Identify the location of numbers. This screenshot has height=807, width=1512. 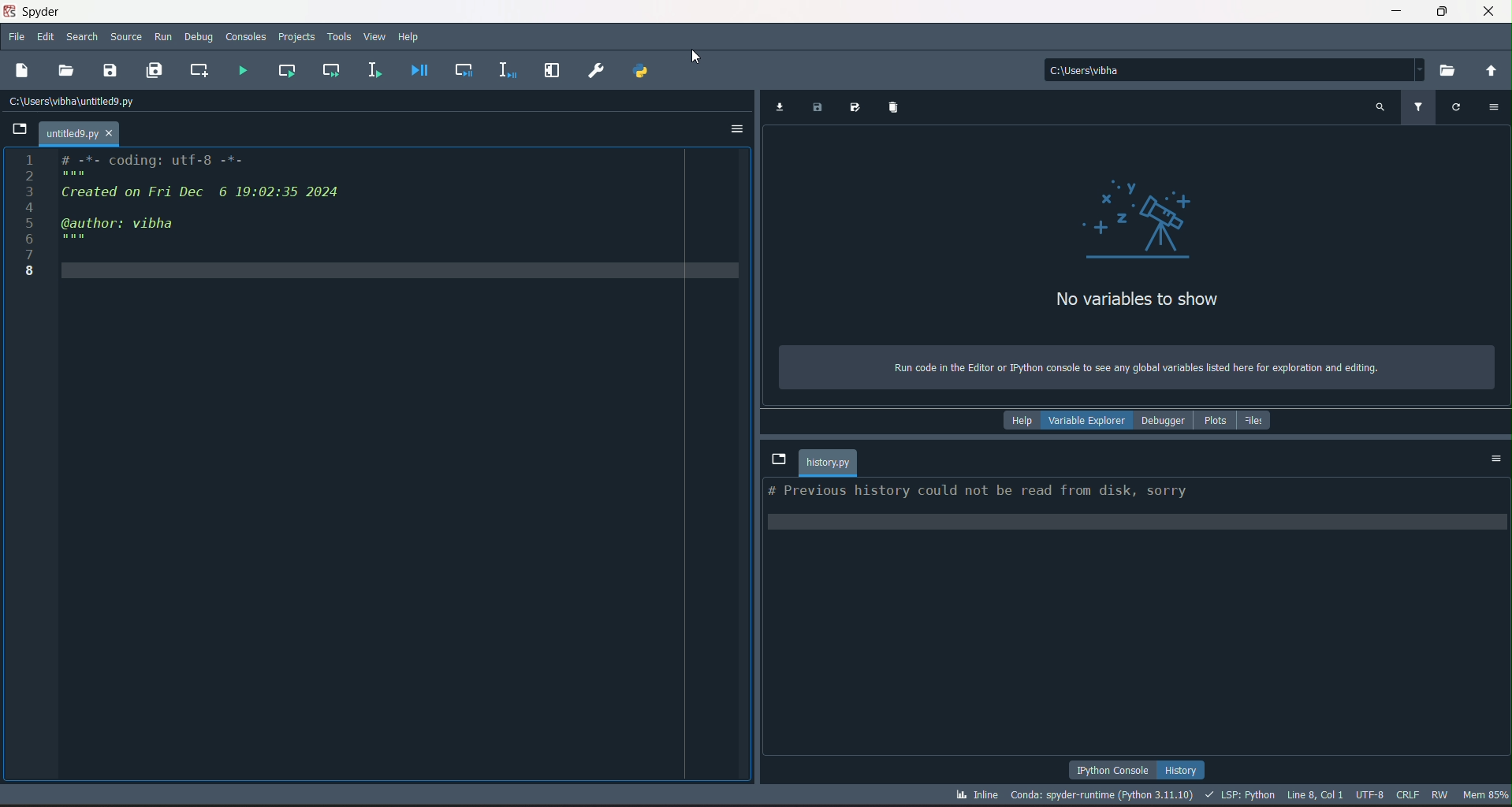
(27, 218).